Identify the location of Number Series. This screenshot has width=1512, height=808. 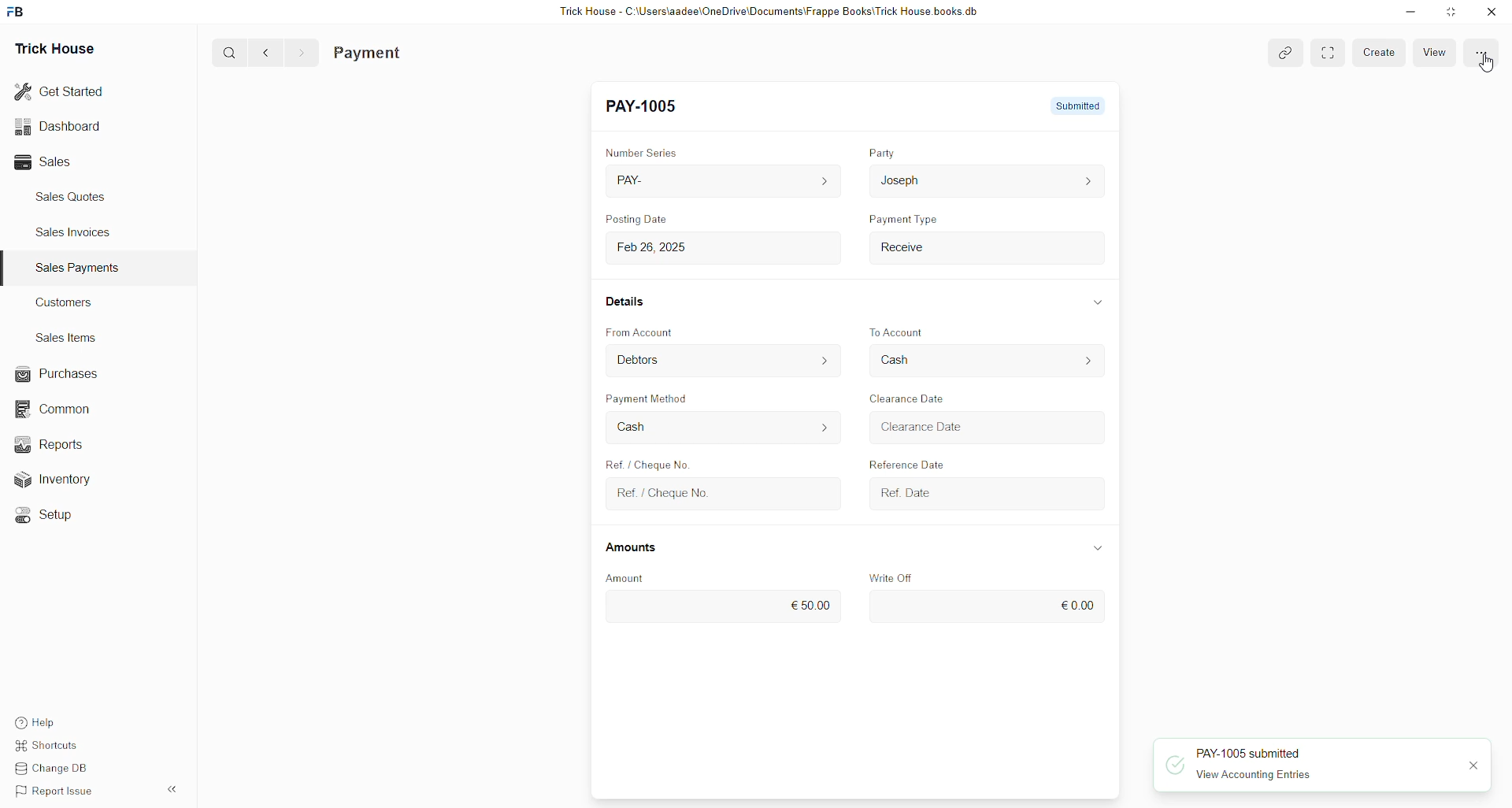
(642, 152).